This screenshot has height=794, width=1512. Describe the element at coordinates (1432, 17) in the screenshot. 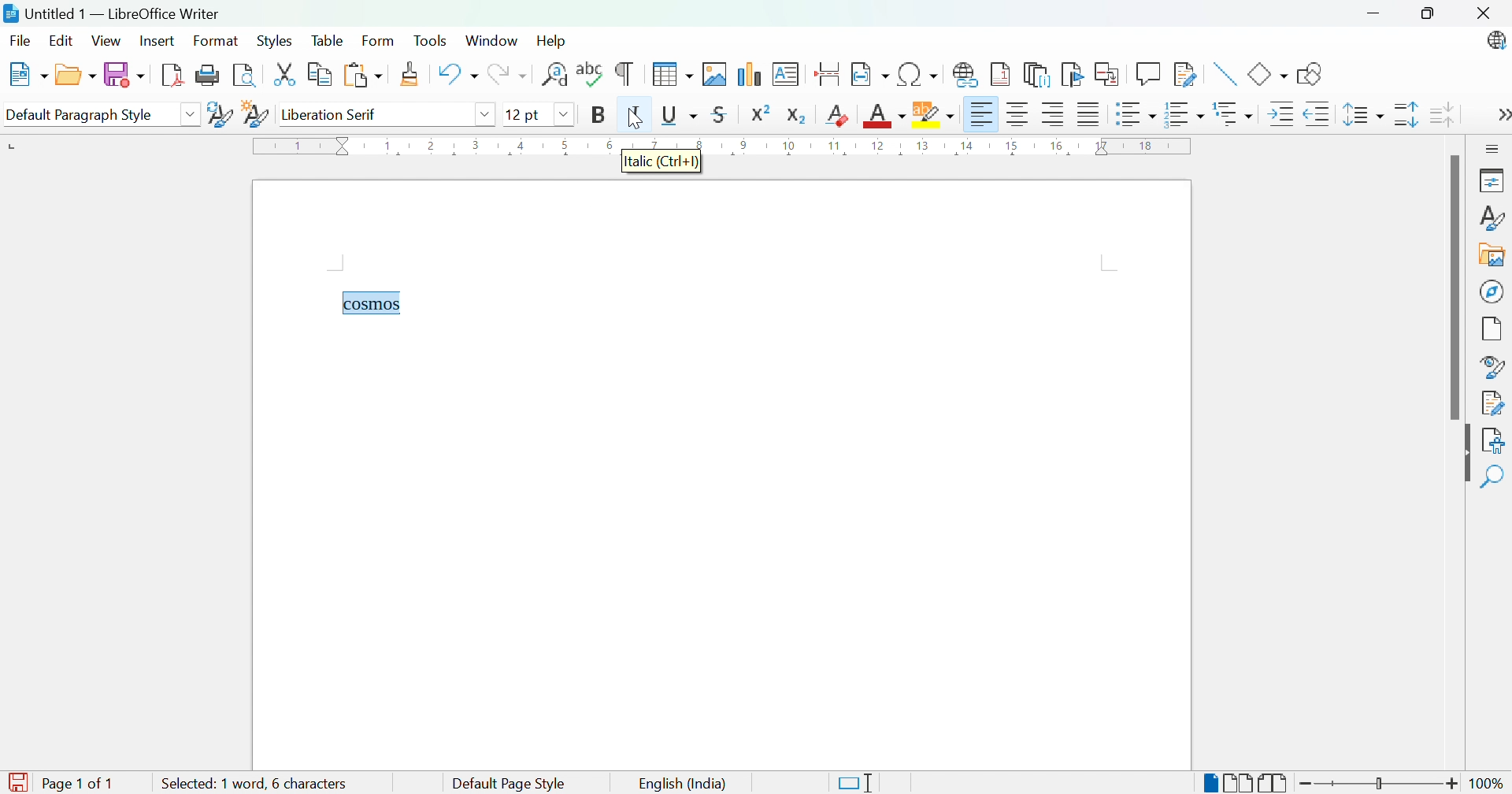

I see `Restore down` at that location.